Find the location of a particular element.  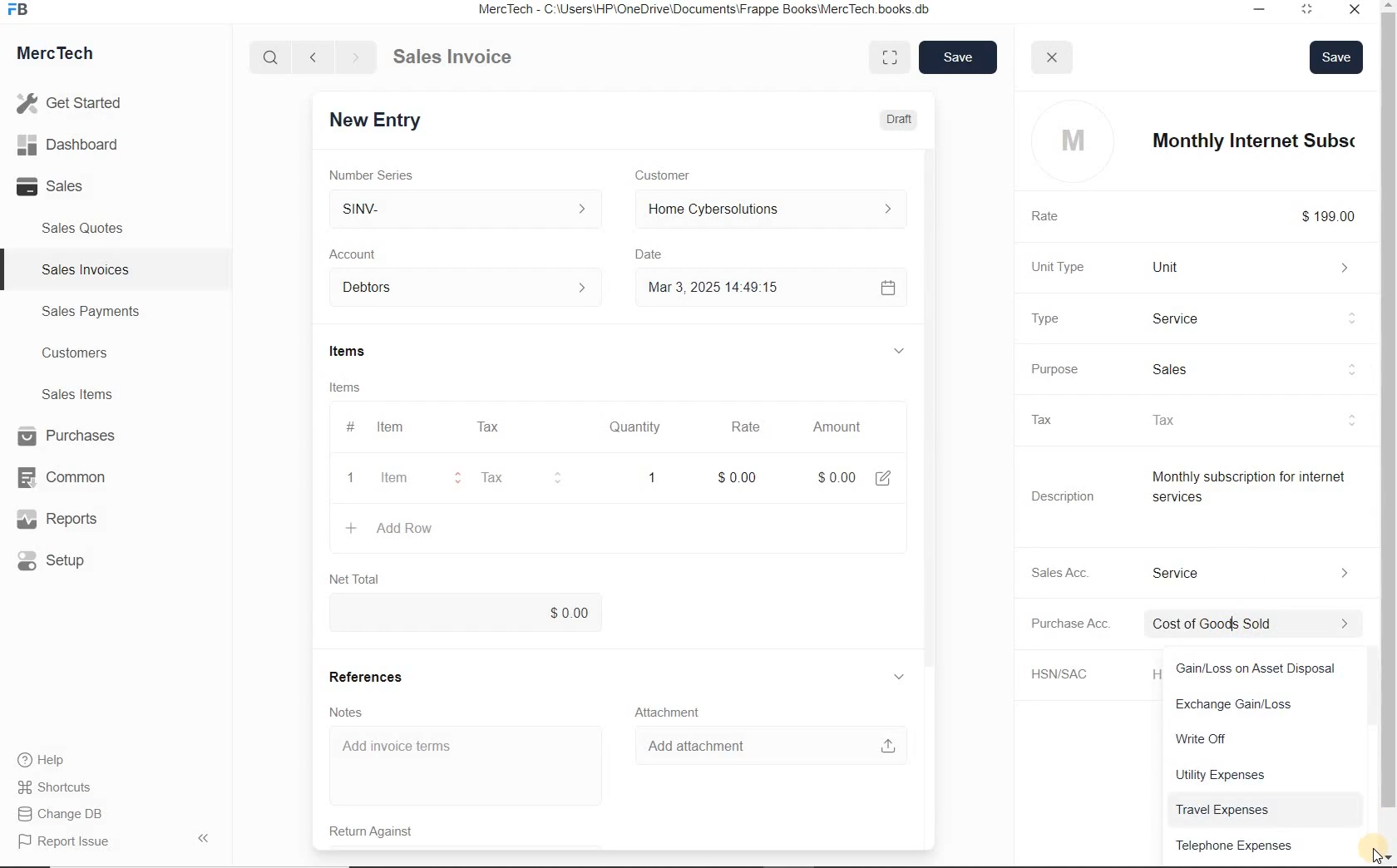

Go forward is located at coordinates (355, 57).